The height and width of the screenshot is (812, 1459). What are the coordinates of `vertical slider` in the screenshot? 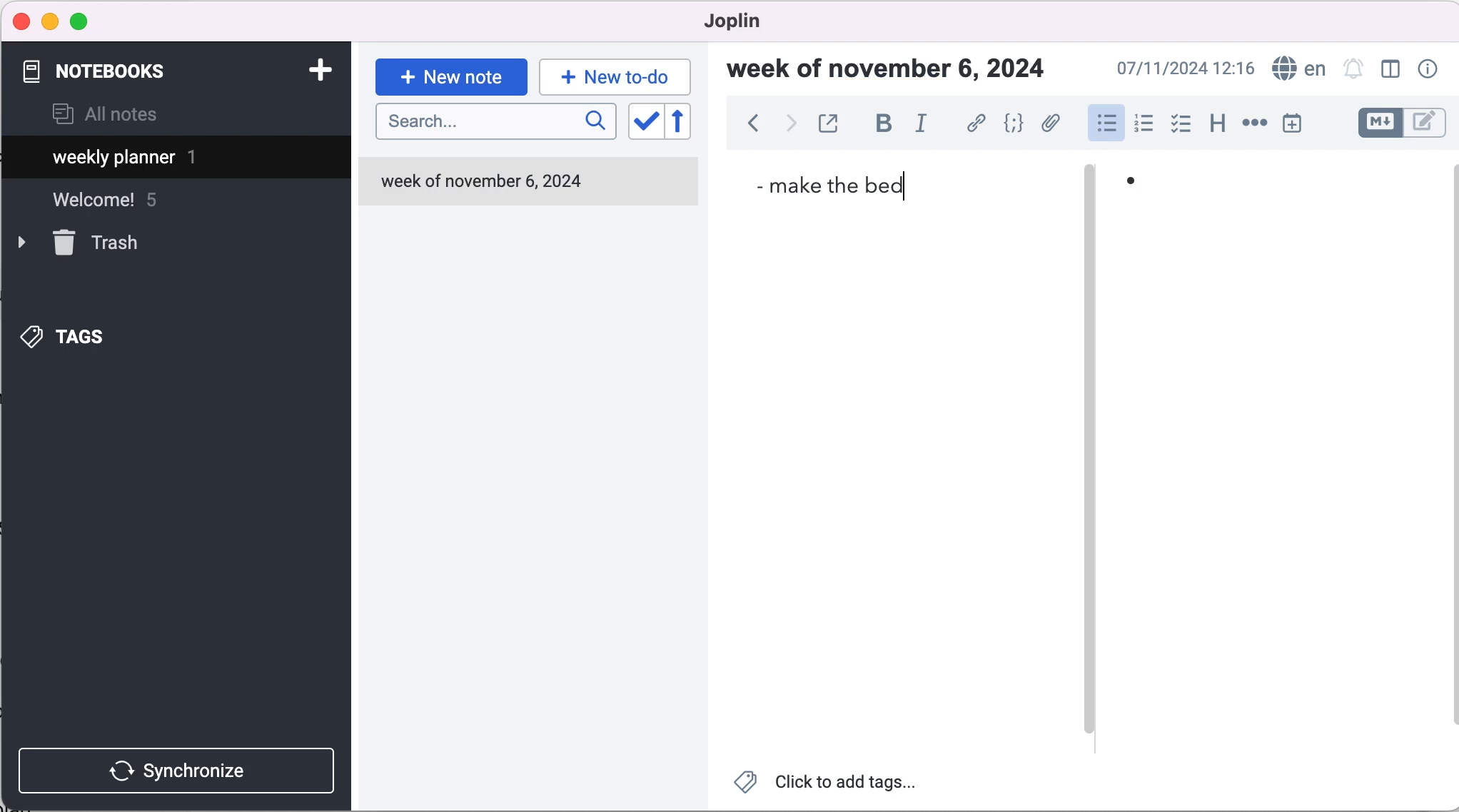 It's located at (1091, 451).